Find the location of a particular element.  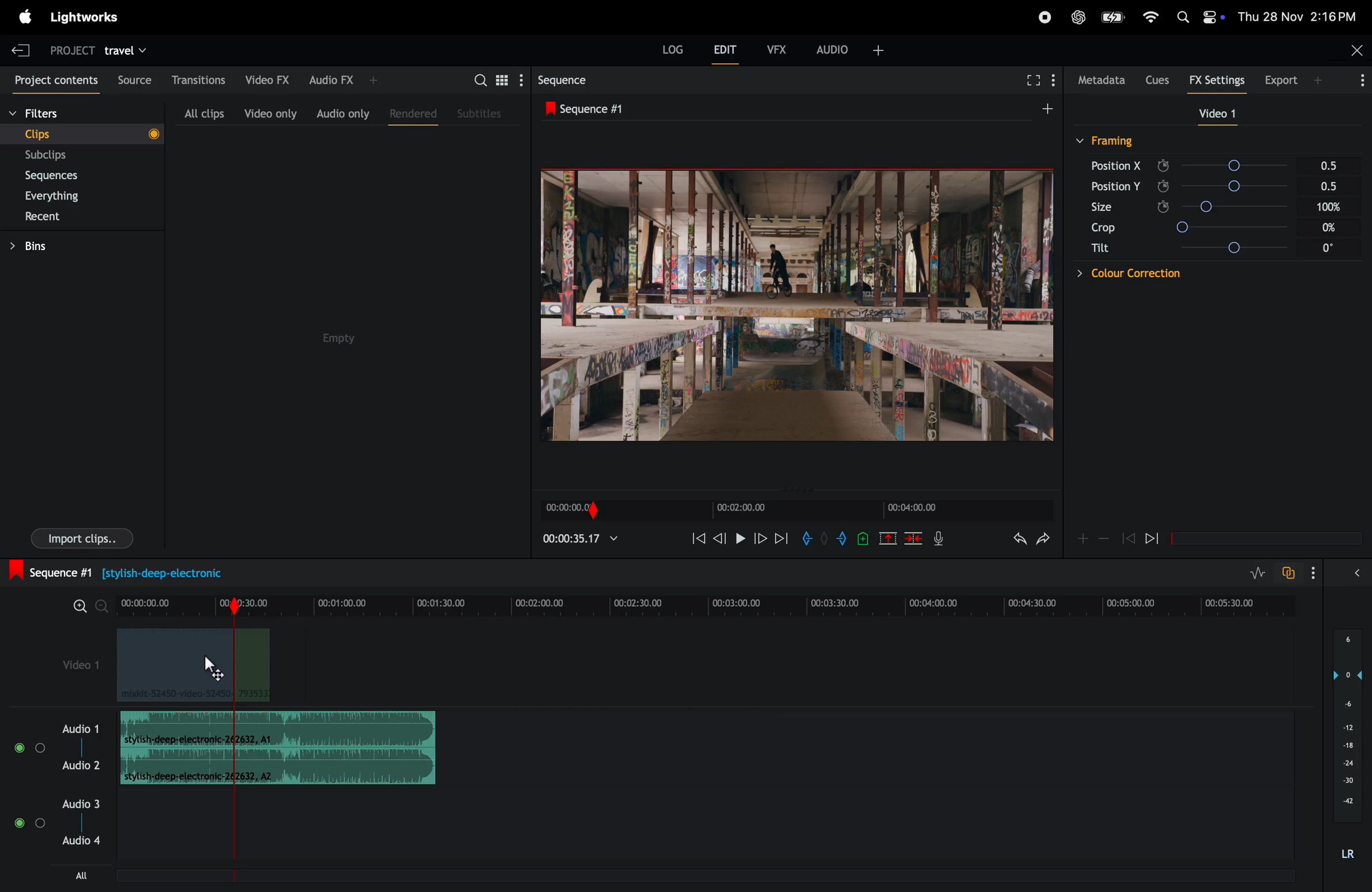

options is located at coordinates (1354, 82).